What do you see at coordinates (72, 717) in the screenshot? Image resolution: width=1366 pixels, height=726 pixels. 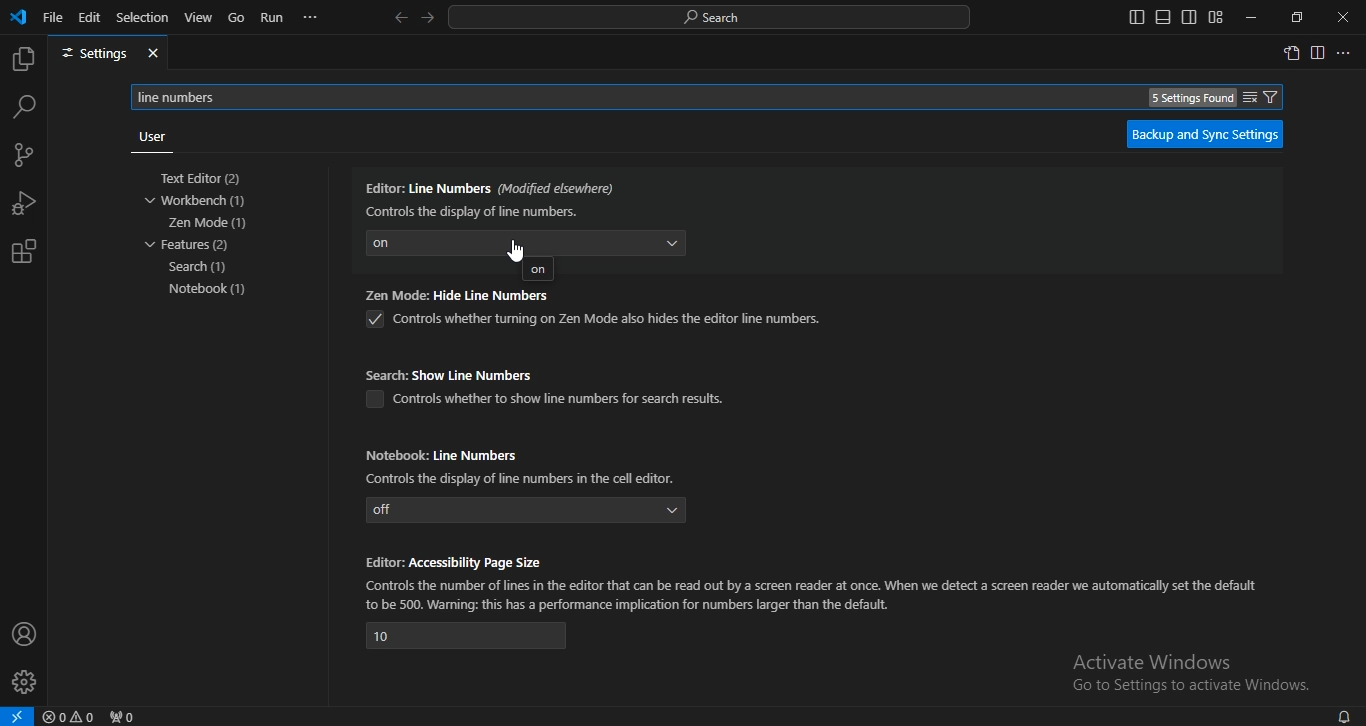 I see `no problems` at bounding box center [72, 717].